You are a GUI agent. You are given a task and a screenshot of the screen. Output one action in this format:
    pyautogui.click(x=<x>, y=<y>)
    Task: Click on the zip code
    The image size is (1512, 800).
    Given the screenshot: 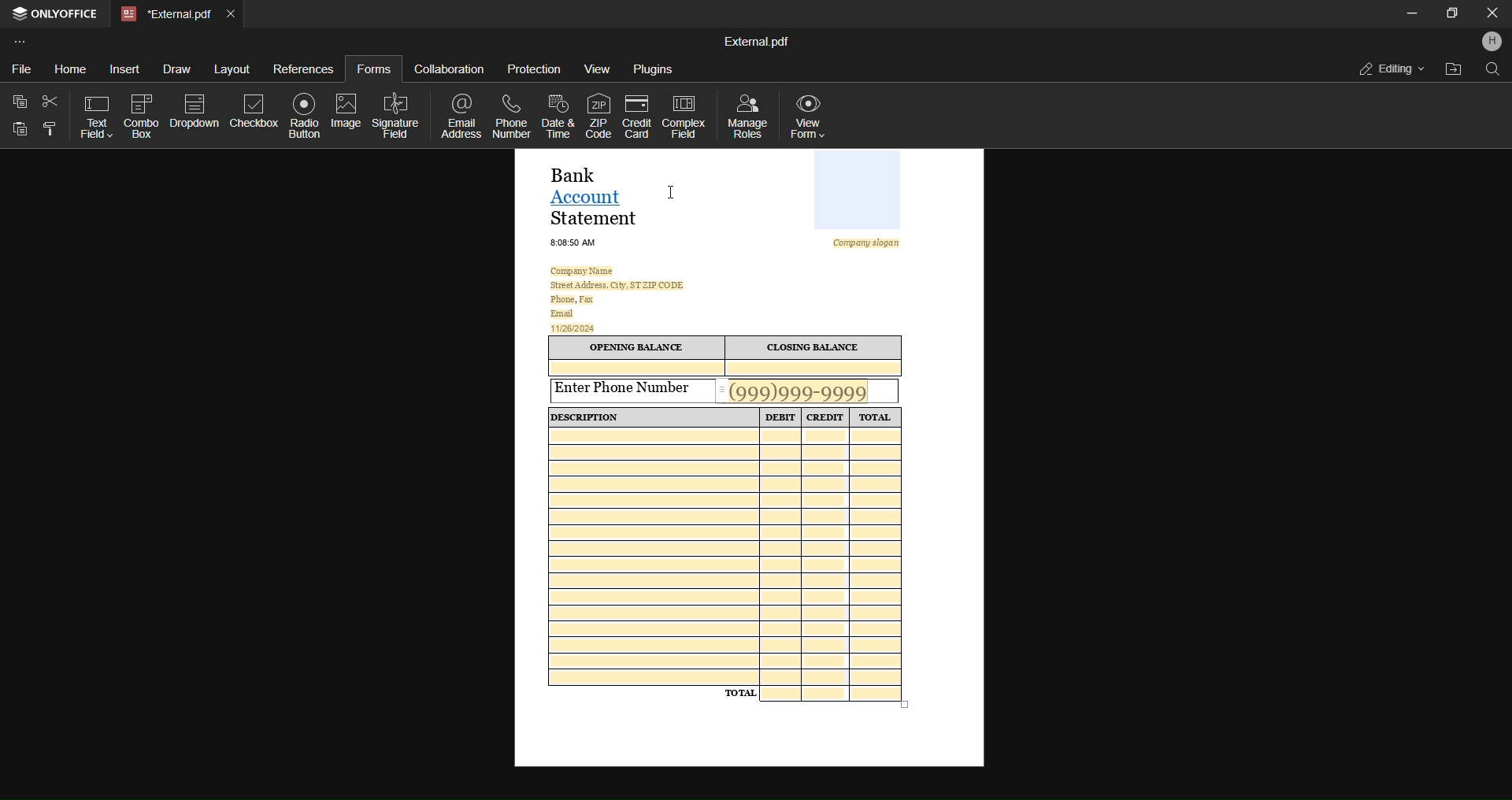 What is the action you would take?
    pyautogui.click(x=598, y=113)
    